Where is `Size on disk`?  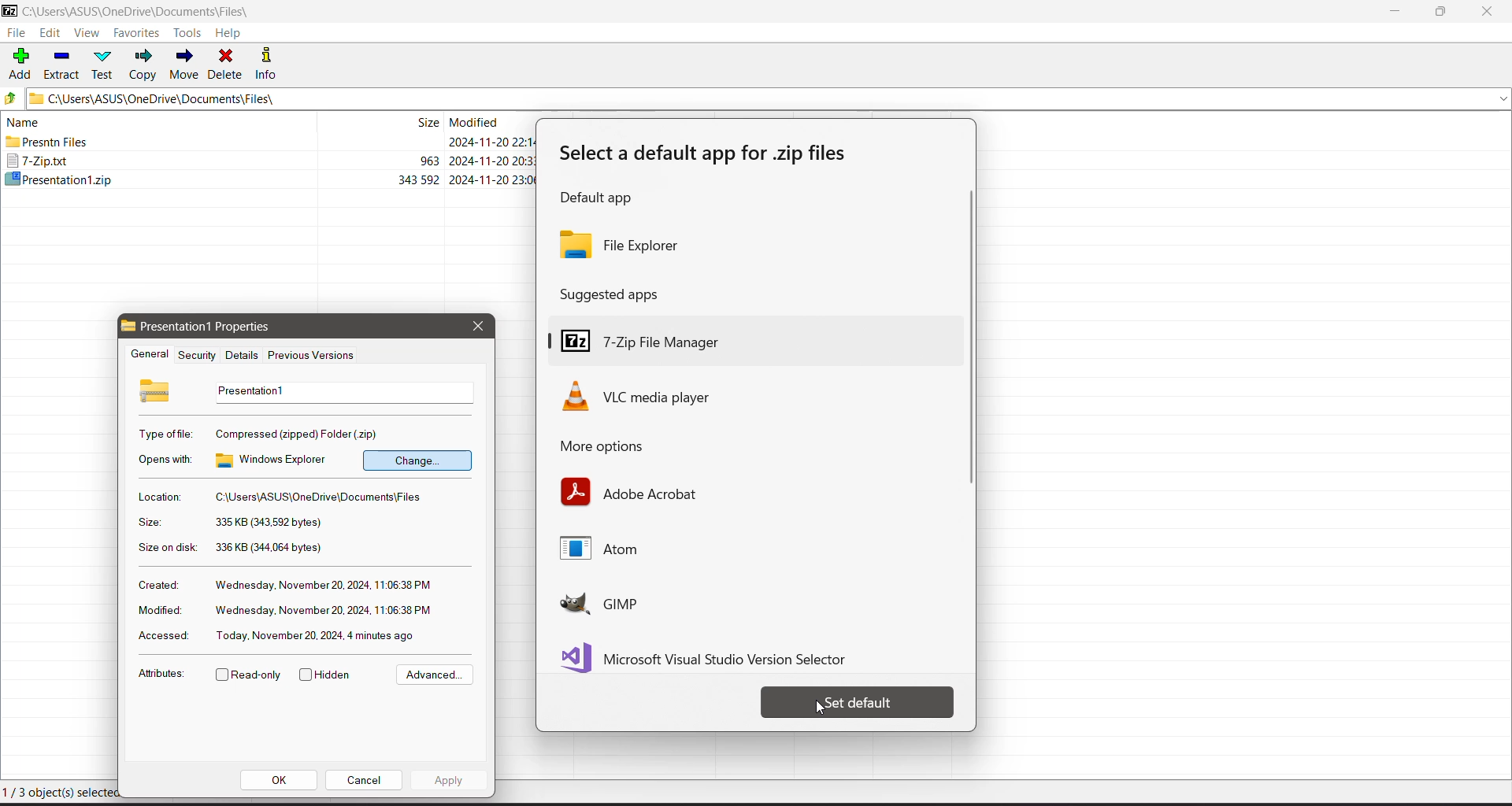 Size on disk is located at coordinates (168, 549).